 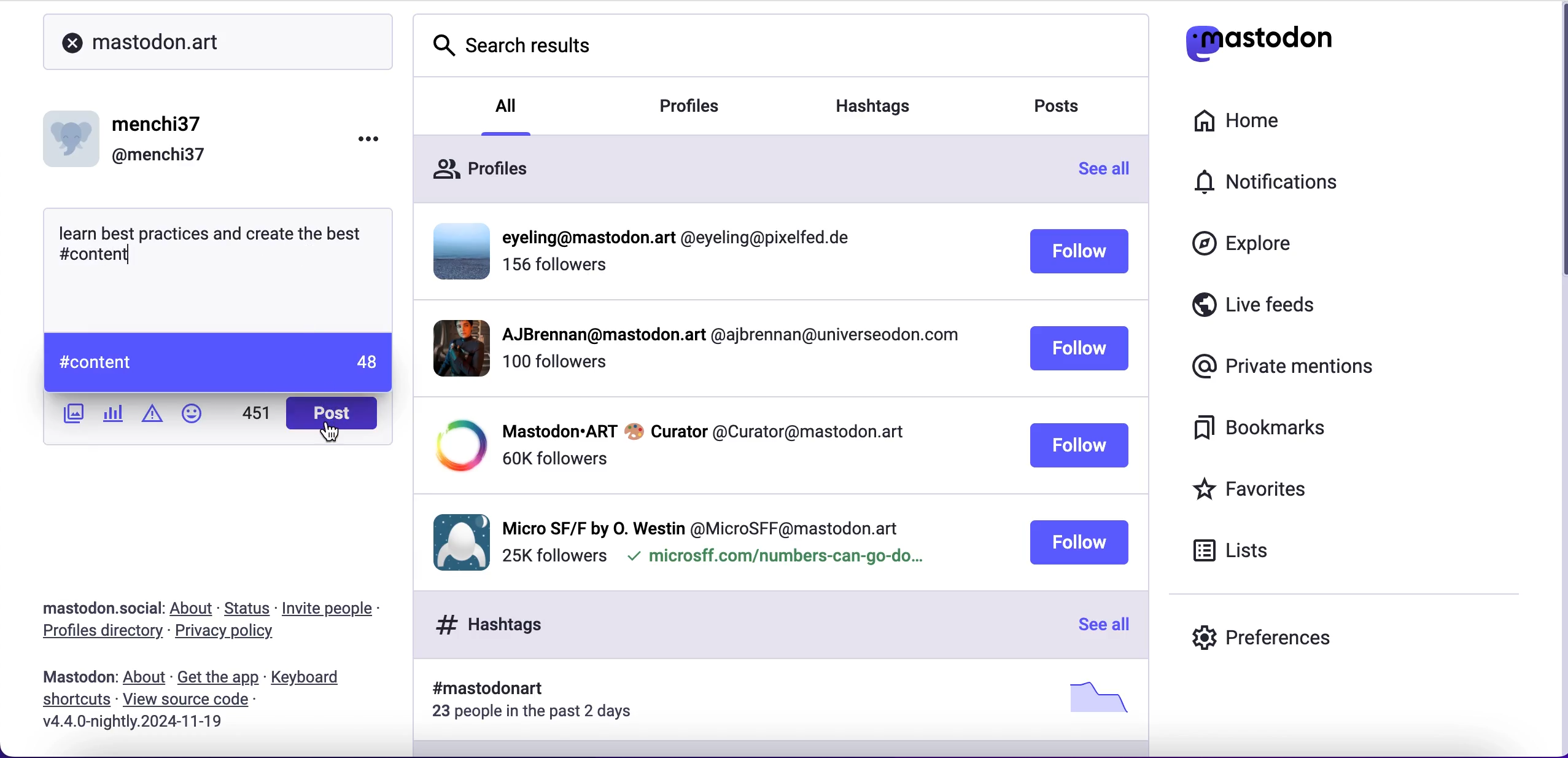 I want to click on hashtags, so click(x=483, y=624).